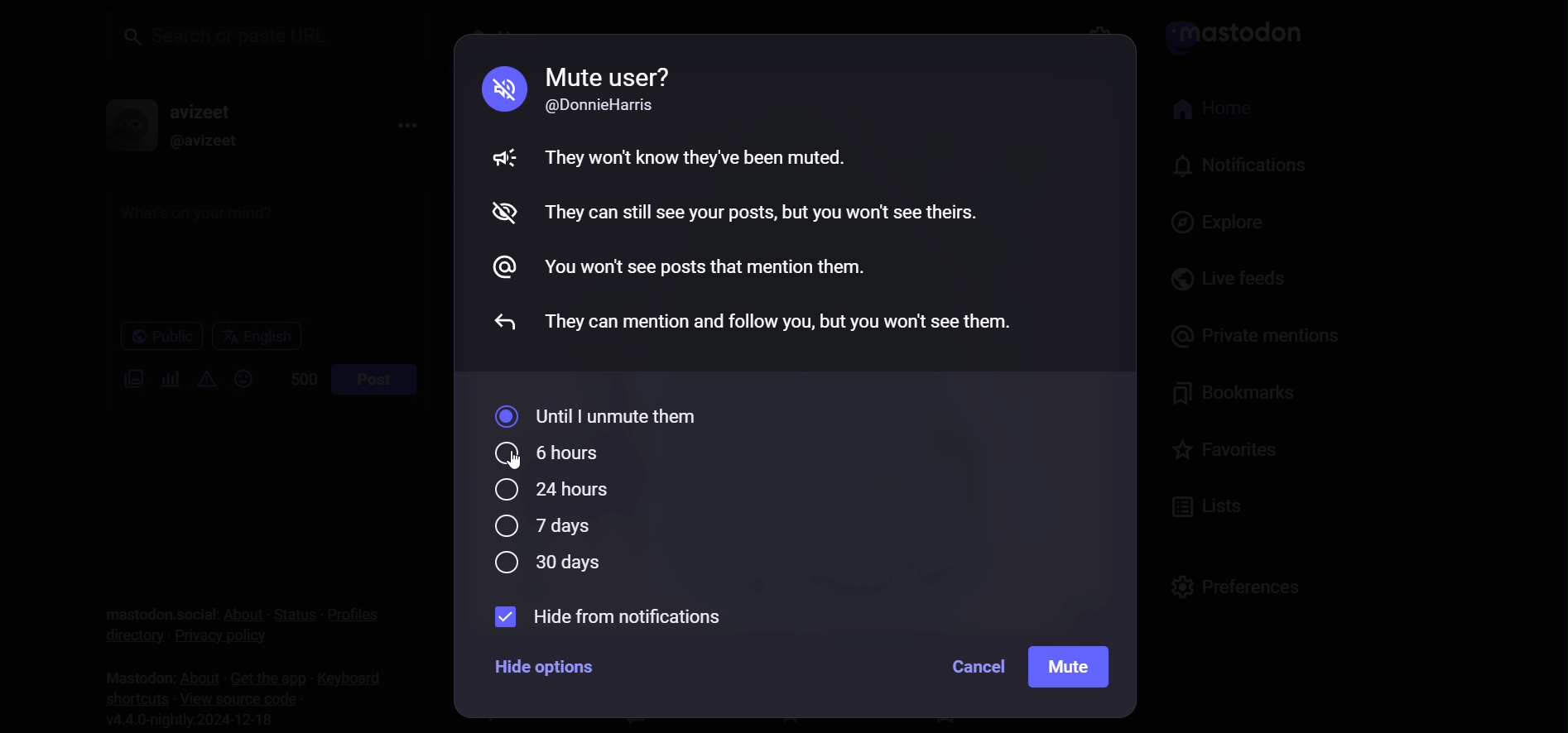 The width and height of the screenshot is (1568, 733). What do you see at coordinates (498, 88) in the screenshot?
I see `mute` at bounding box center [498, 88].